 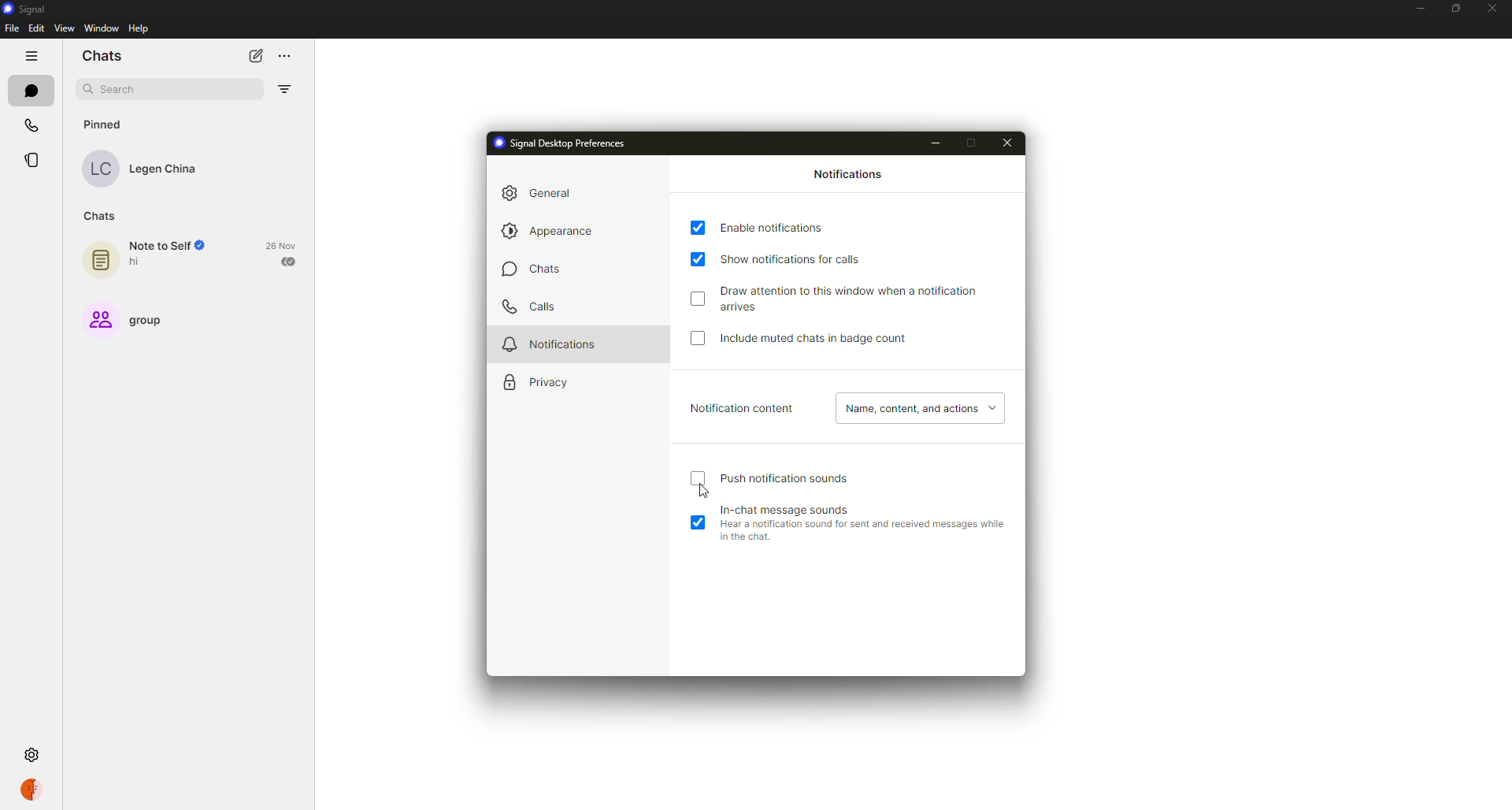 I want to click on enabled, so click(x=701, y=524).